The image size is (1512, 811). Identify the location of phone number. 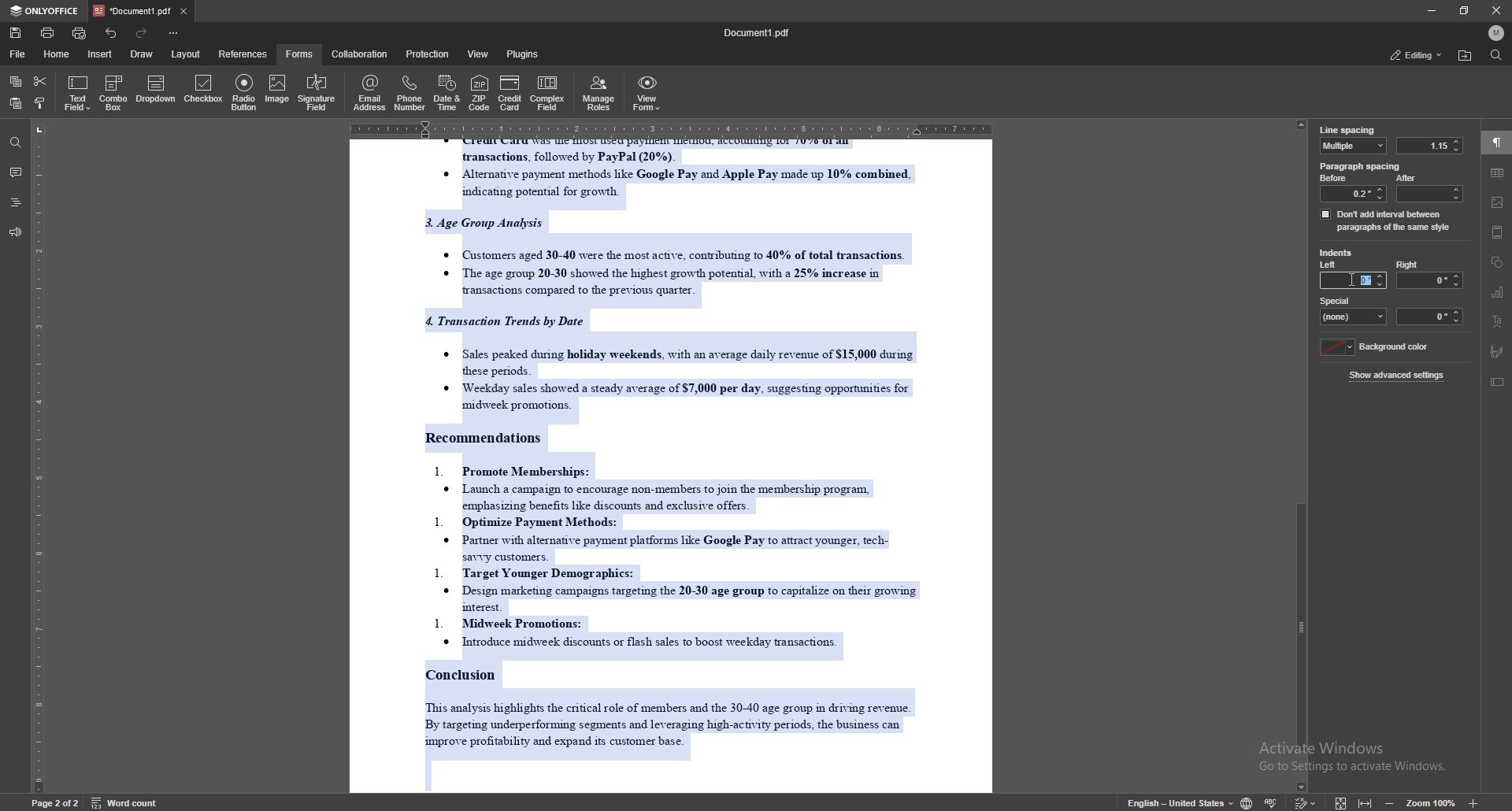
(411, 93).